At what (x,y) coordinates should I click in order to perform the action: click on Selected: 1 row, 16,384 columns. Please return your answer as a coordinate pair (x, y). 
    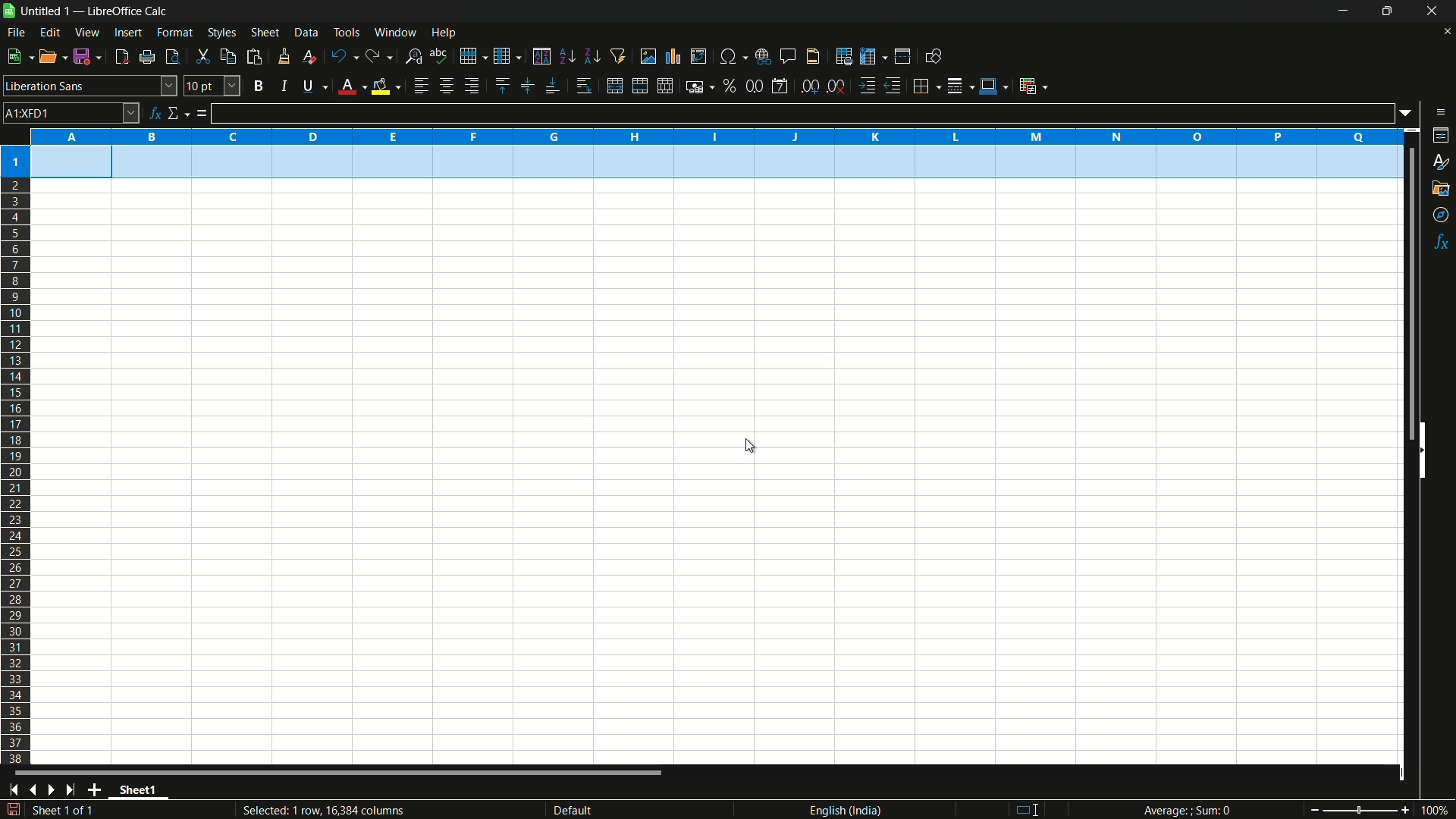
    Looking at the image, I should click on (320, 809).